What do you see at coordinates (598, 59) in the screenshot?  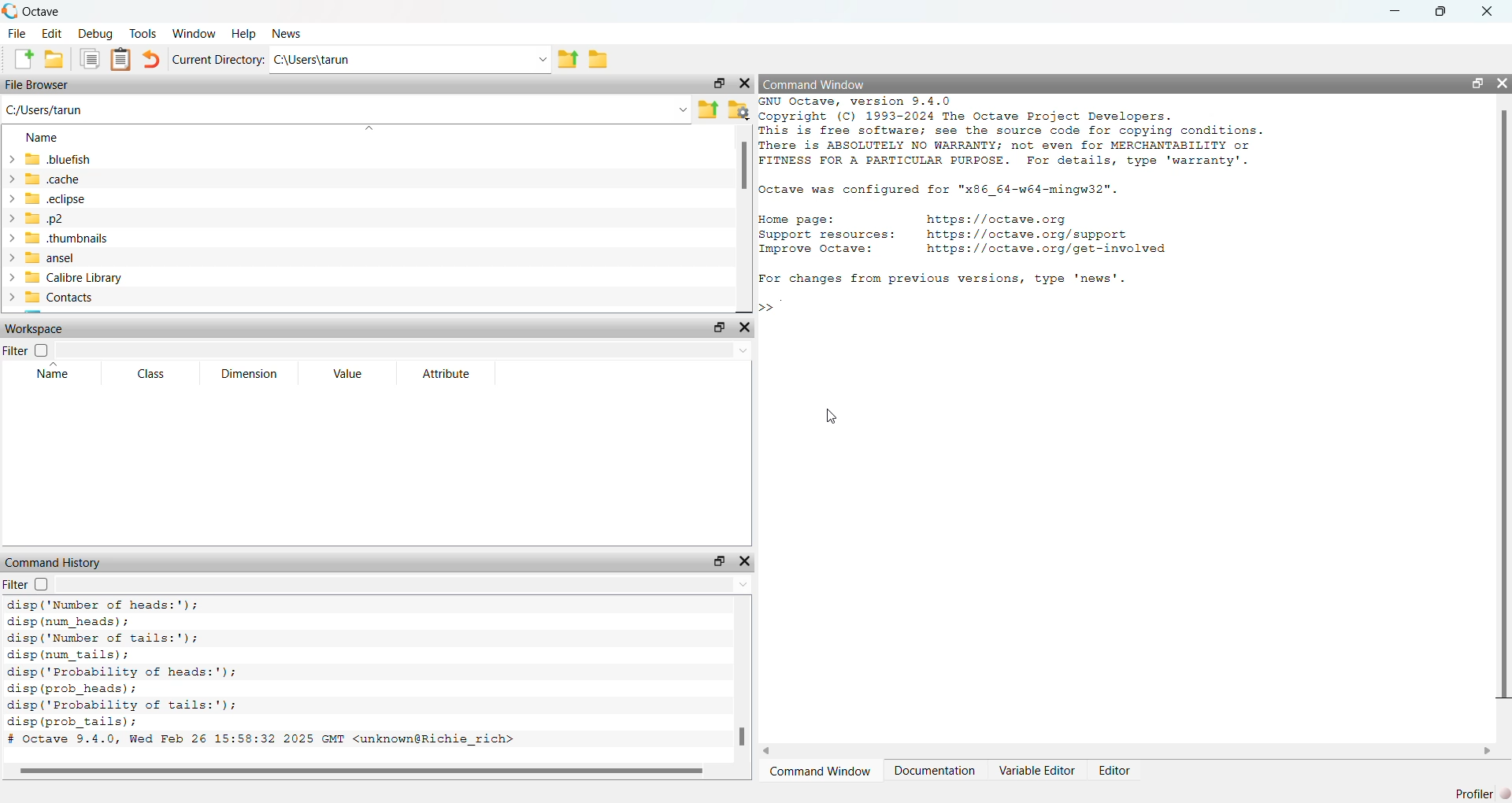 I see `Browse Directions` at bounding box center [598, 59].